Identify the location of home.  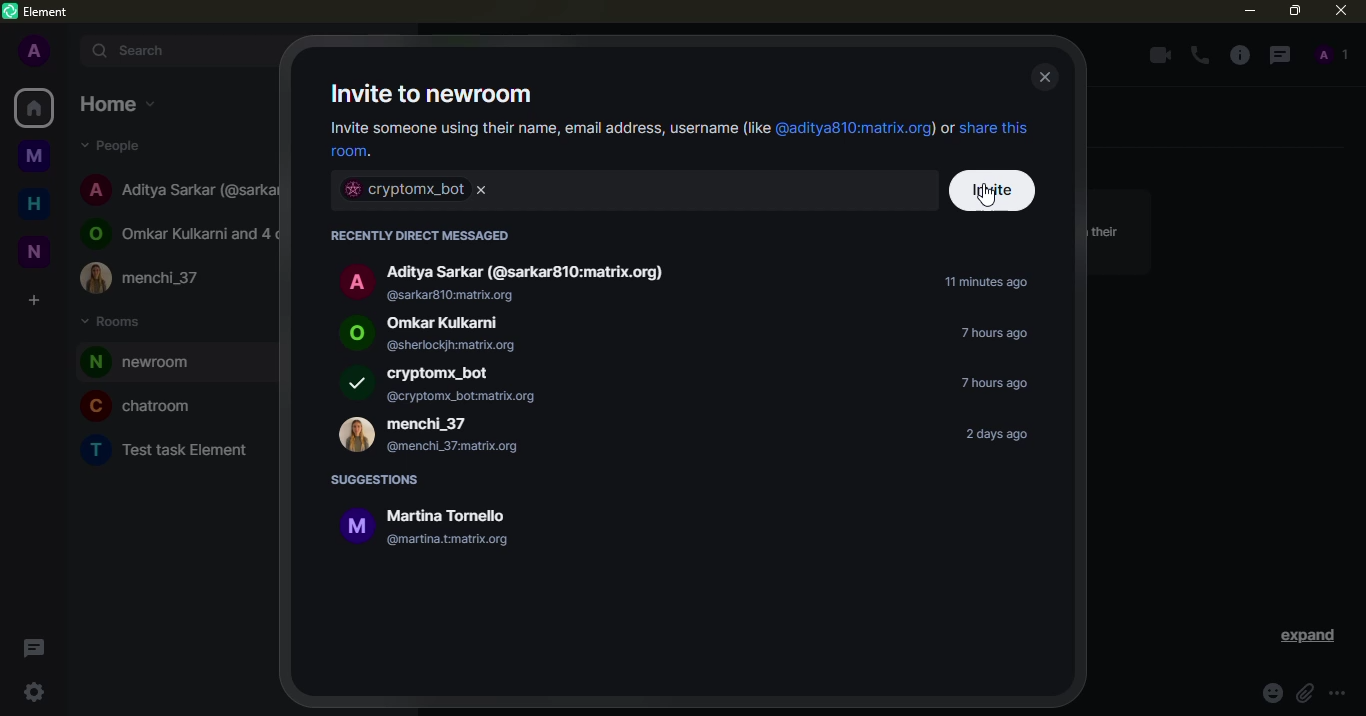
(35, 204).